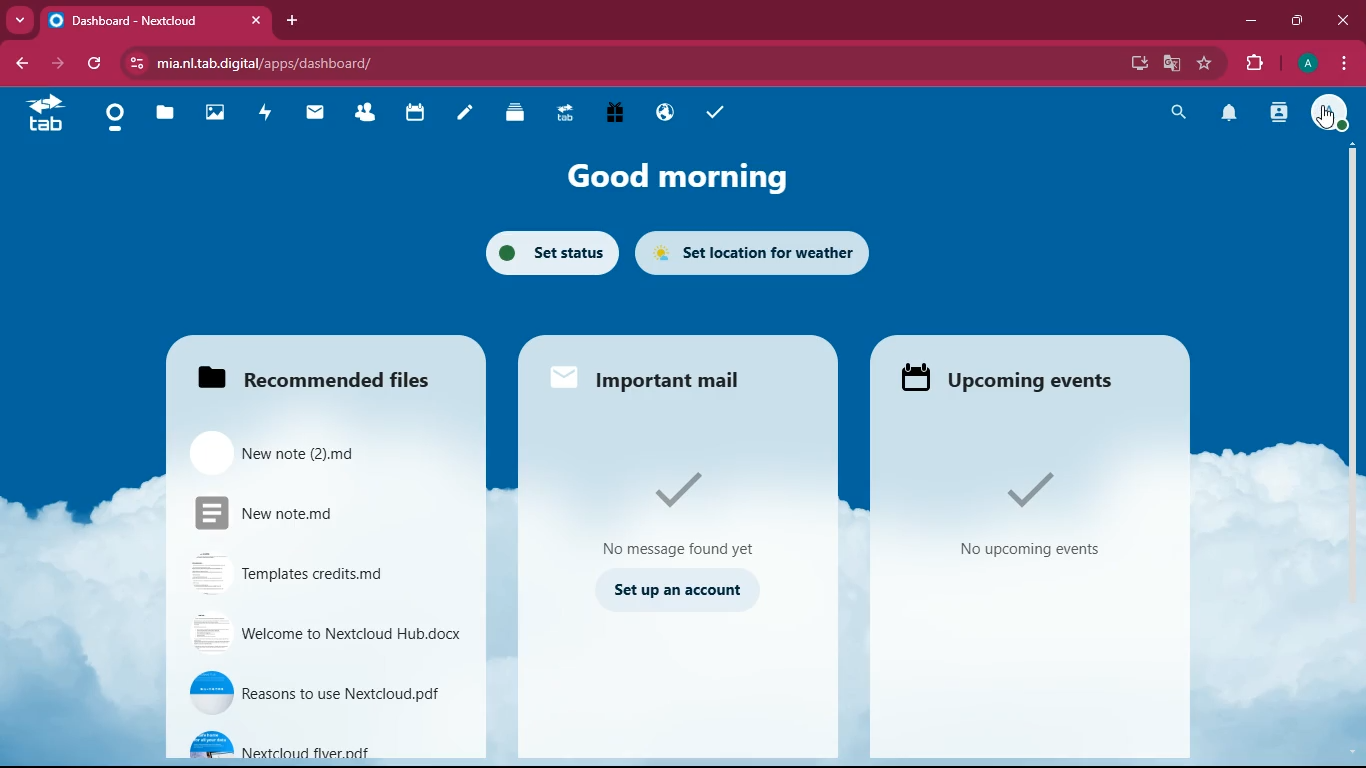 The width and height of the screenshot is (1366, 768). Describe the element at coordinates (1296, 21) in the screenshot. I see `maximize` at that location.